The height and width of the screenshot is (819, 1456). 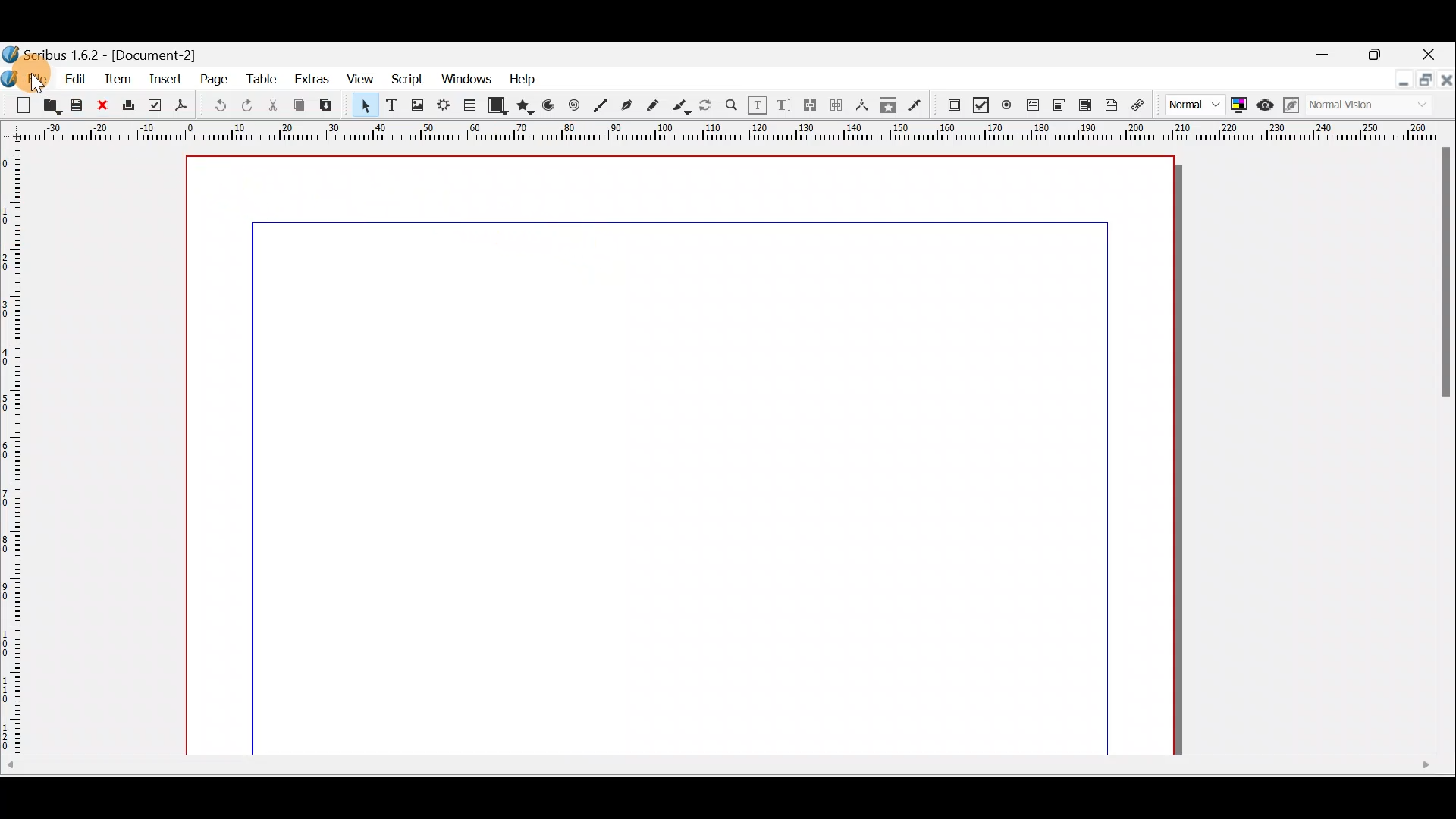 What do you see at coordinates (108, 52) in the screenshot?
I see `Document name` at bounding box center [108, 52].